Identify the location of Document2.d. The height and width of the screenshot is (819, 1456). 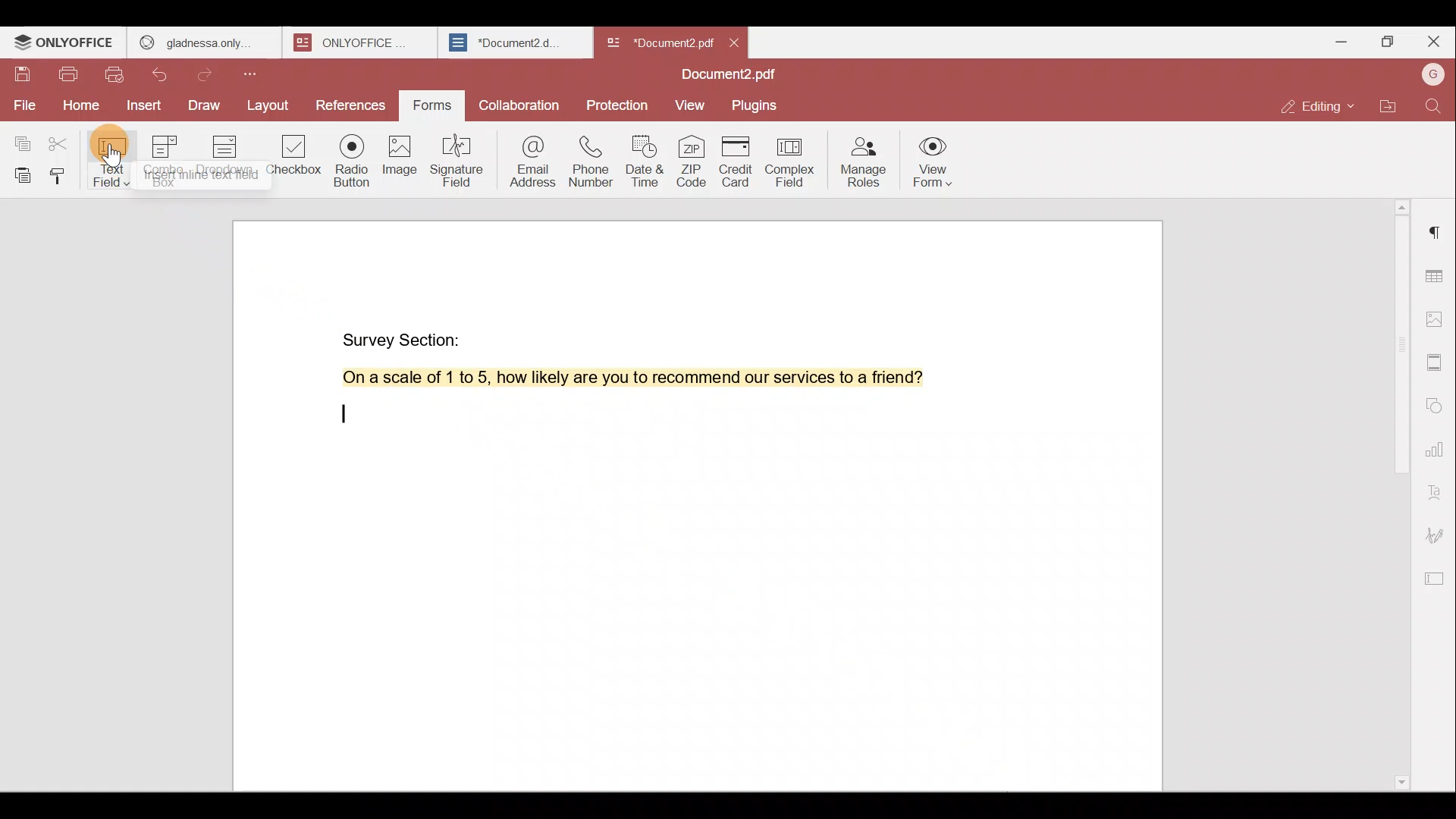
(514, 43).